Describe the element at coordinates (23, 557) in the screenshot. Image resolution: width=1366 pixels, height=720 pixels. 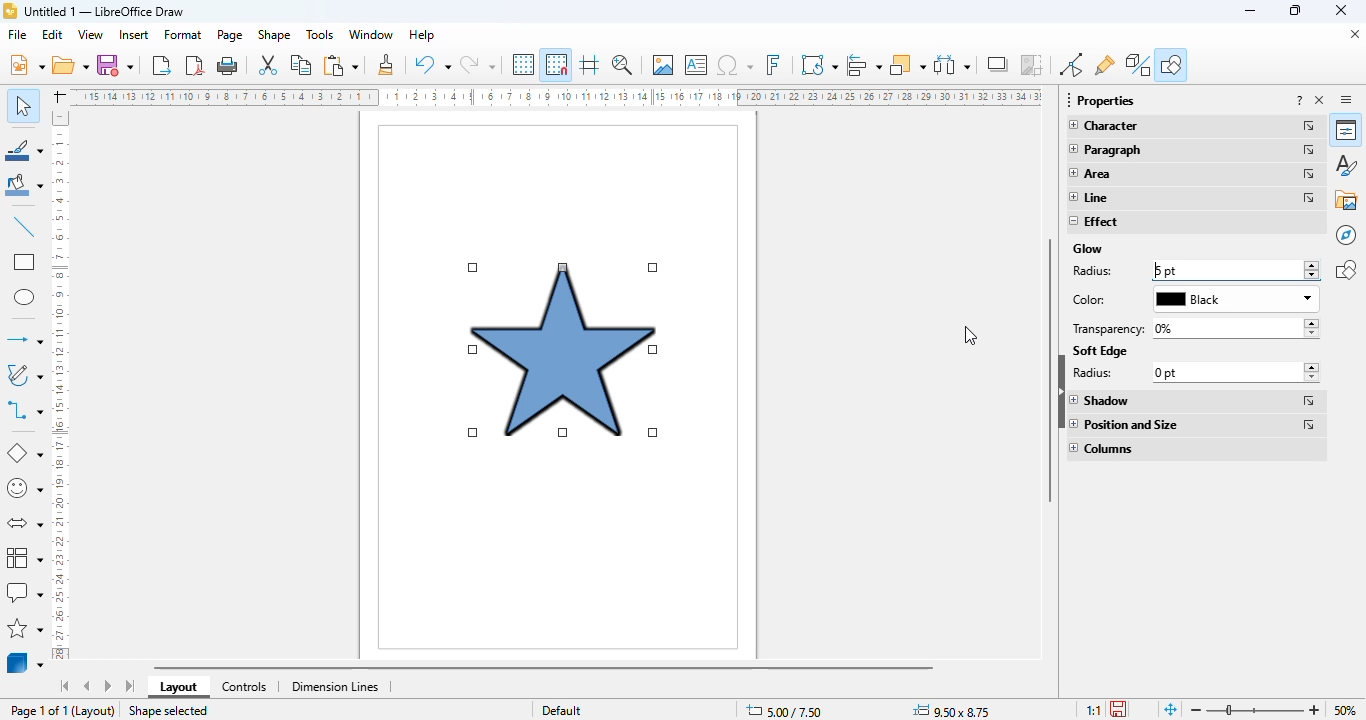
I see `flowchart` at that location.